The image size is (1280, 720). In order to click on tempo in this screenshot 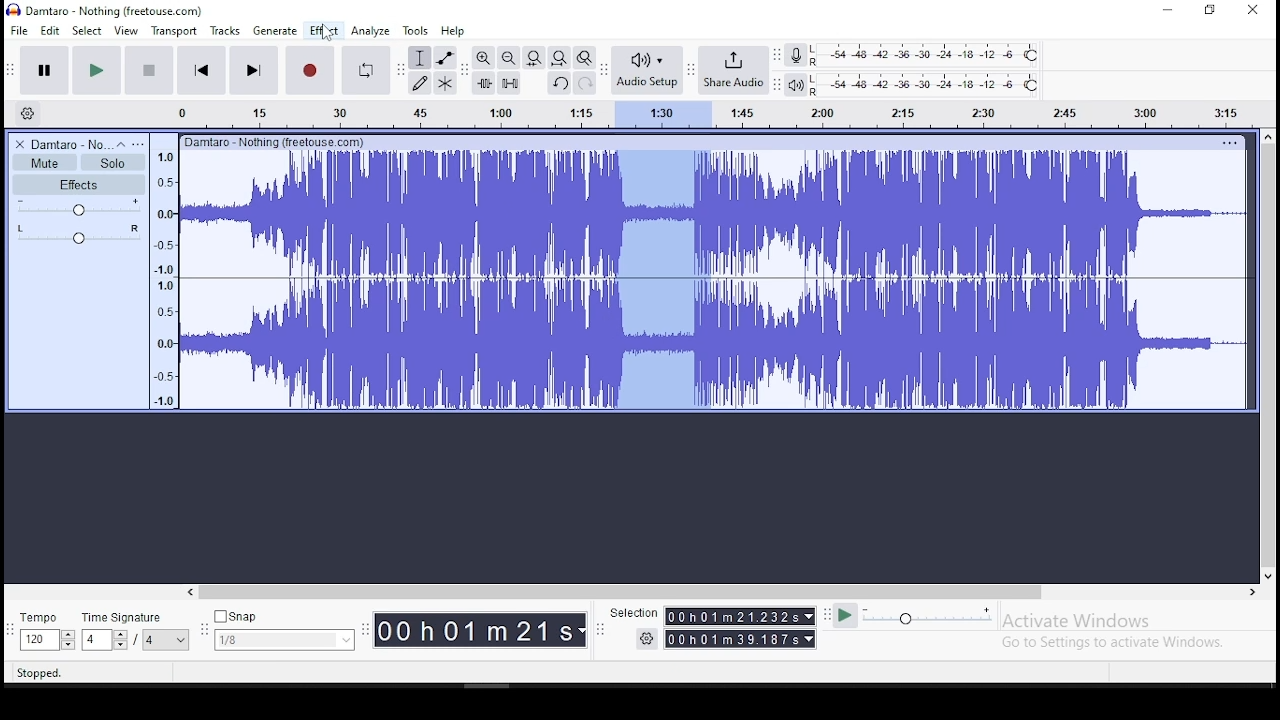, I will do `click(44, 619)`.